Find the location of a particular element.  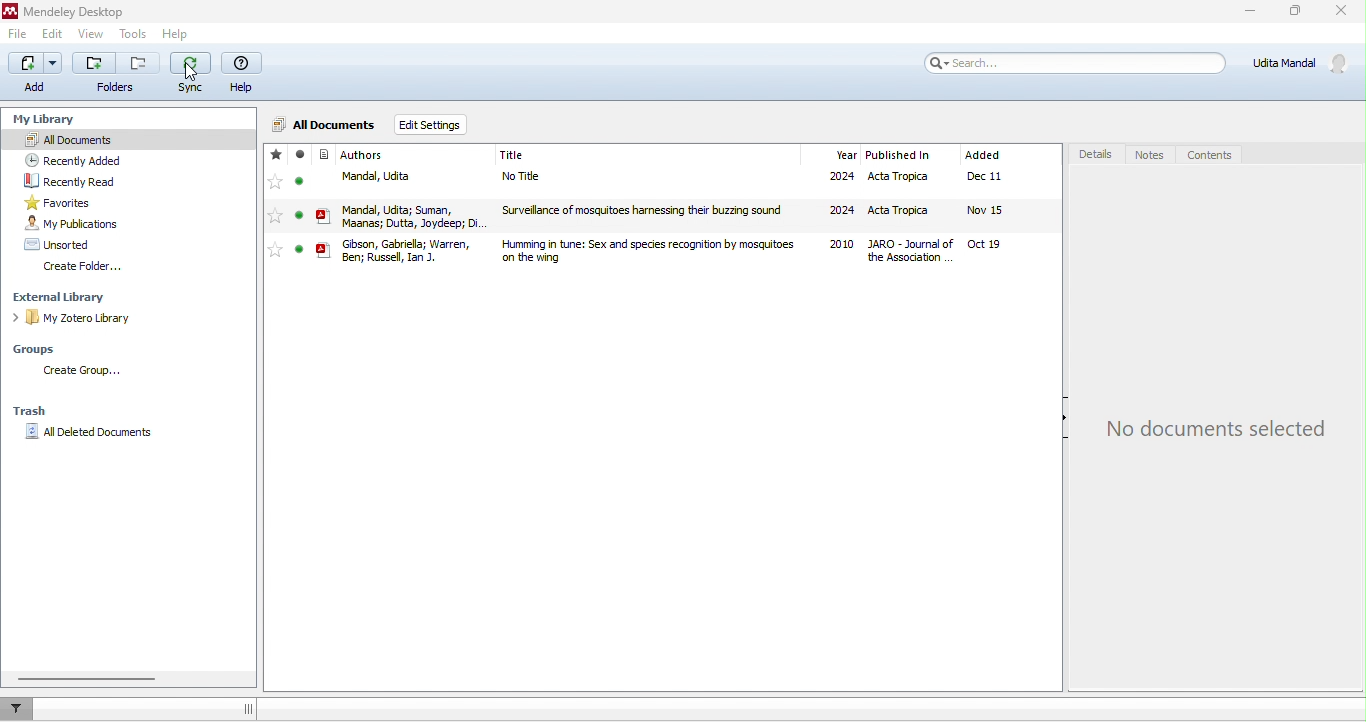

recently added is located at coordinates (74, 161).